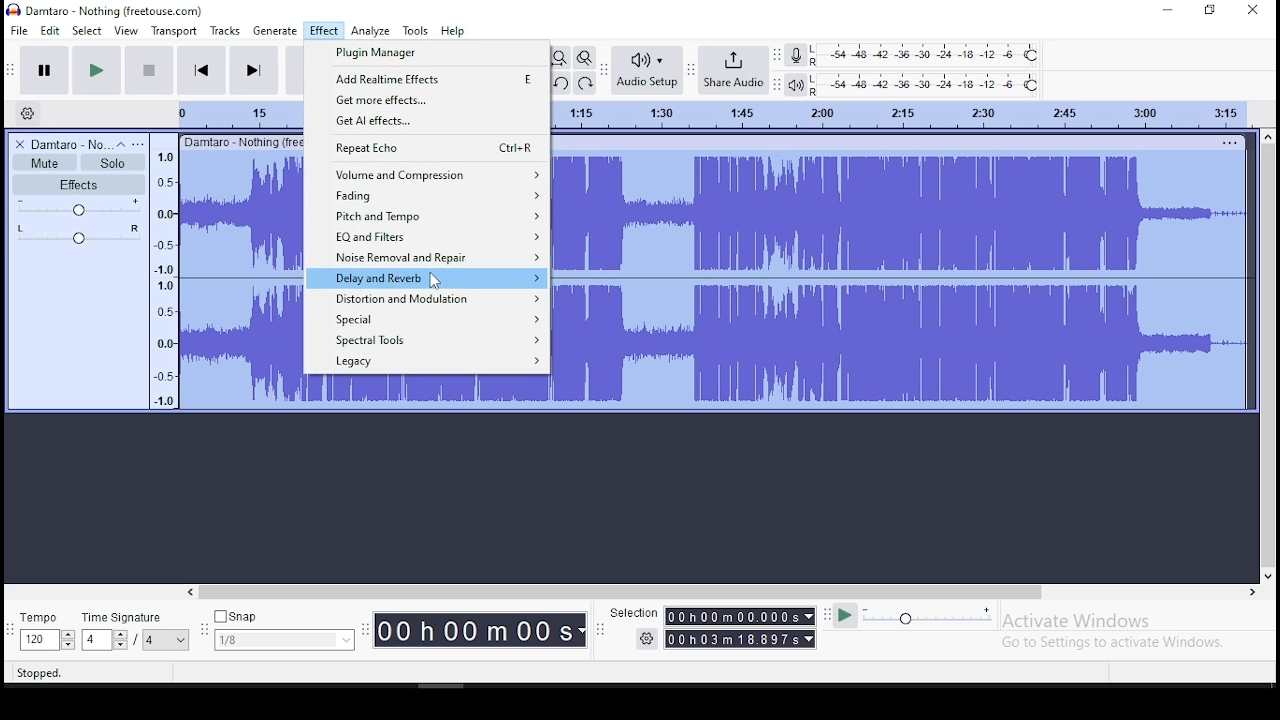  Describe the element at coordinates (1267, 575) in the screenshot. I see `down` at that location.